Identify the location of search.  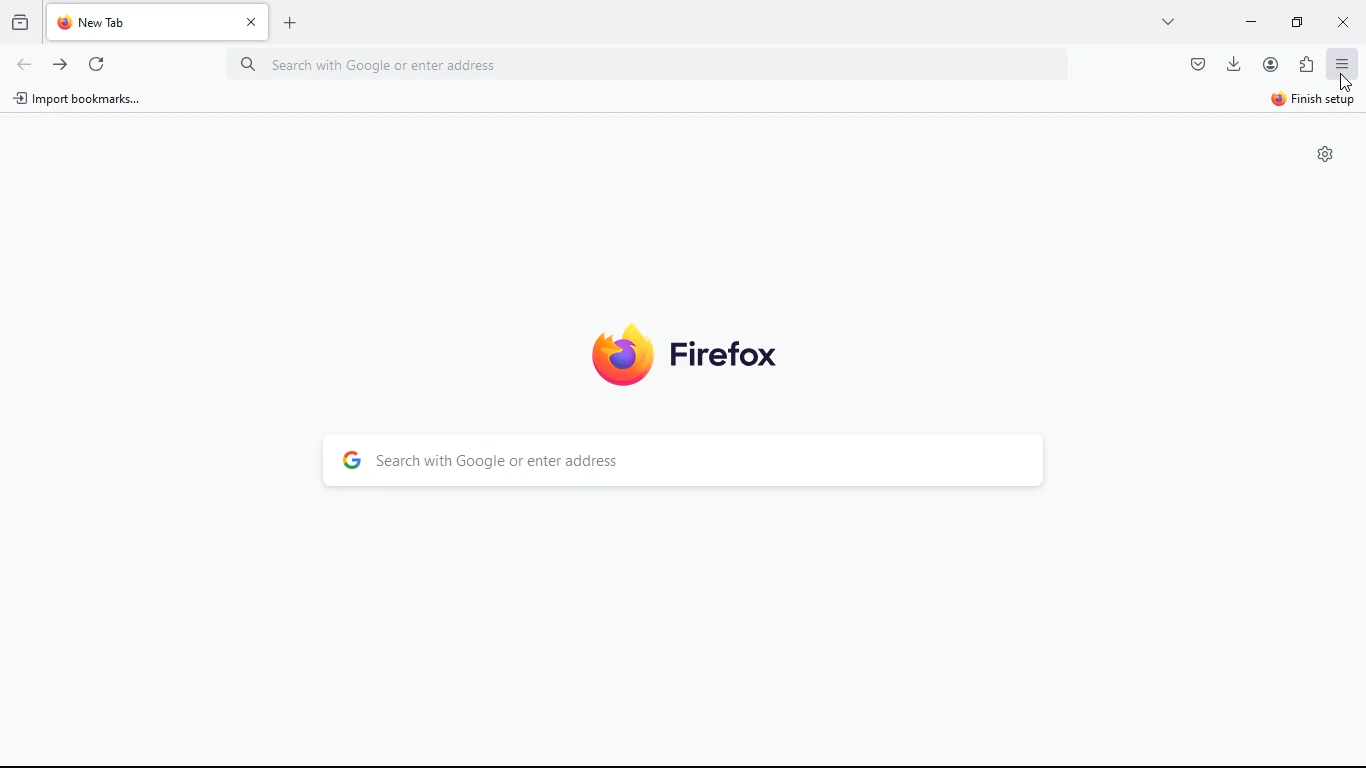
(674, 461).